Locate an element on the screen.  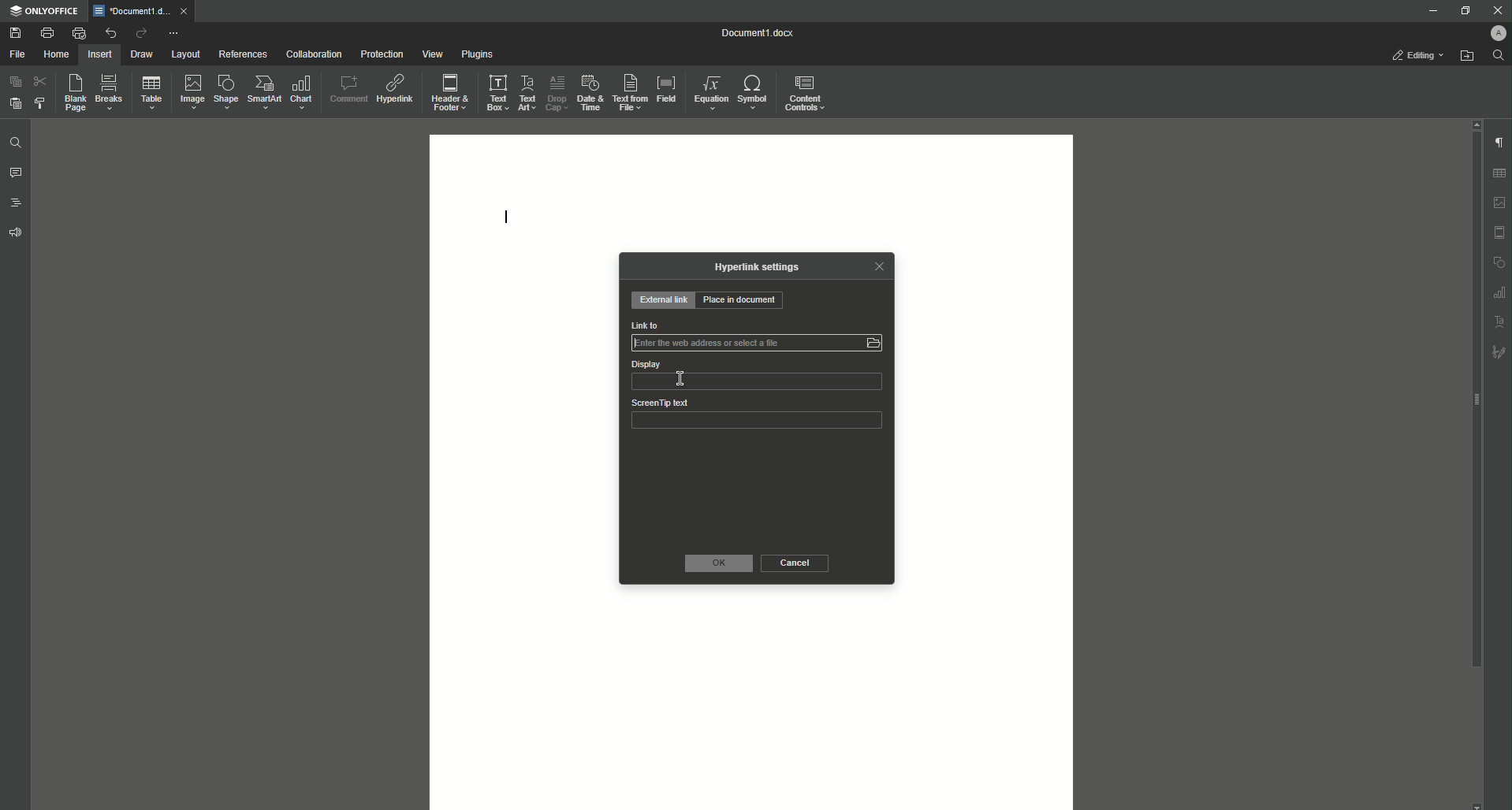
Protection is located at coordinates (382, 55).